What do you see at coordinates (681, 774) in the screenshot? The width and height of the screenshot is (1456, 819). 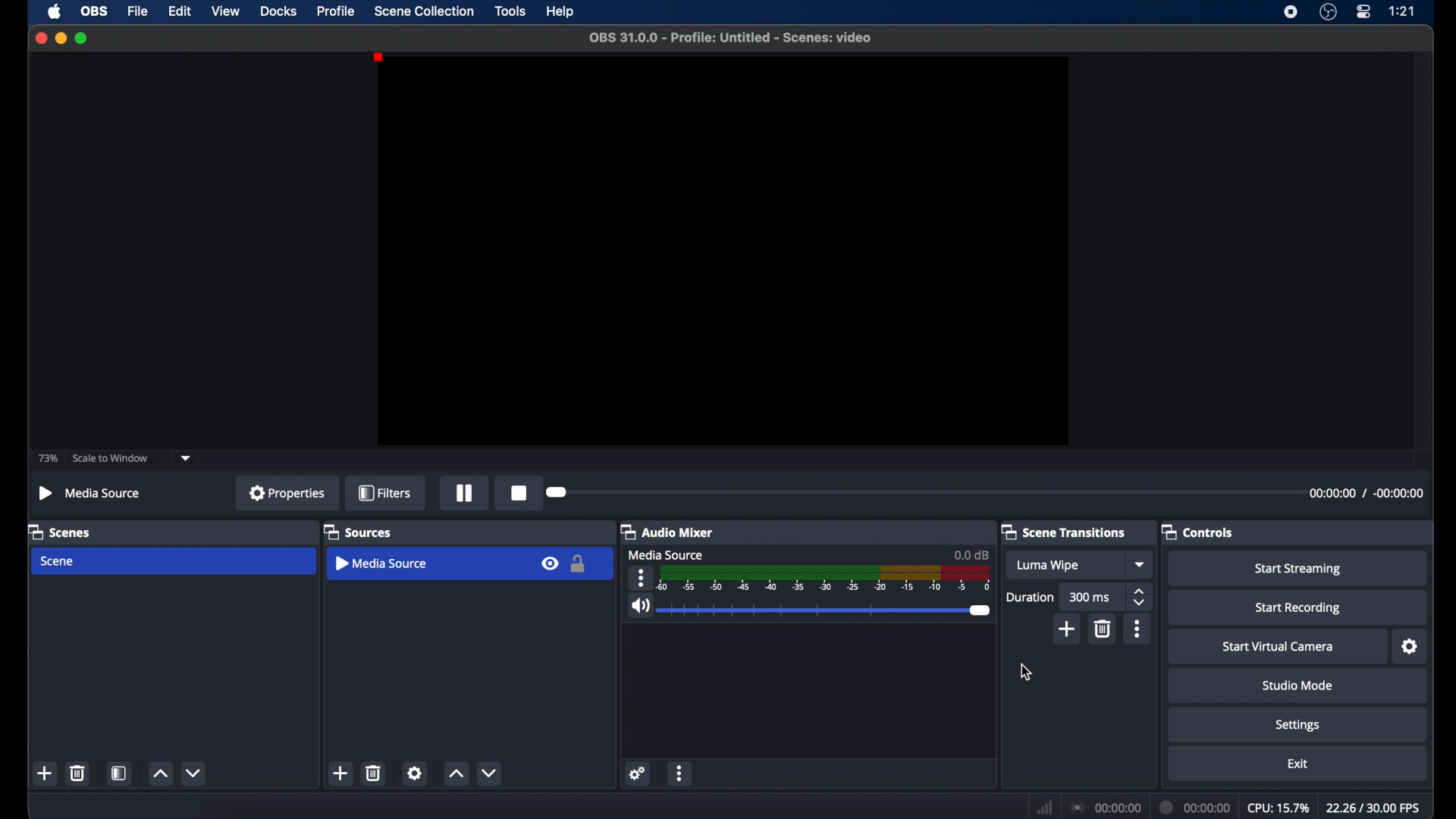 I see `more options` at bounding box center [681, 774].